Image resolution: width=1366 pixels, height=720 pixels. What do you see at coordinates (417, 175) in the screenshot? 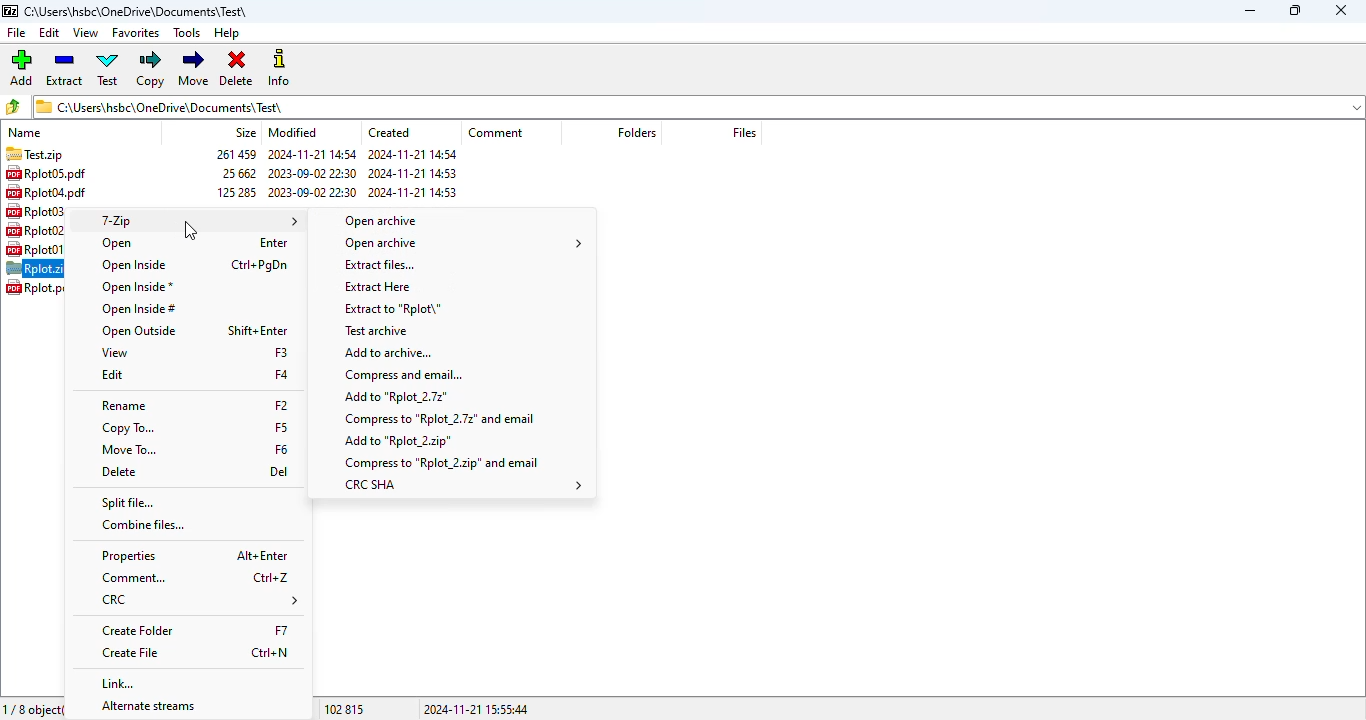
I see `created date & time` at bounding box center [417, 175].